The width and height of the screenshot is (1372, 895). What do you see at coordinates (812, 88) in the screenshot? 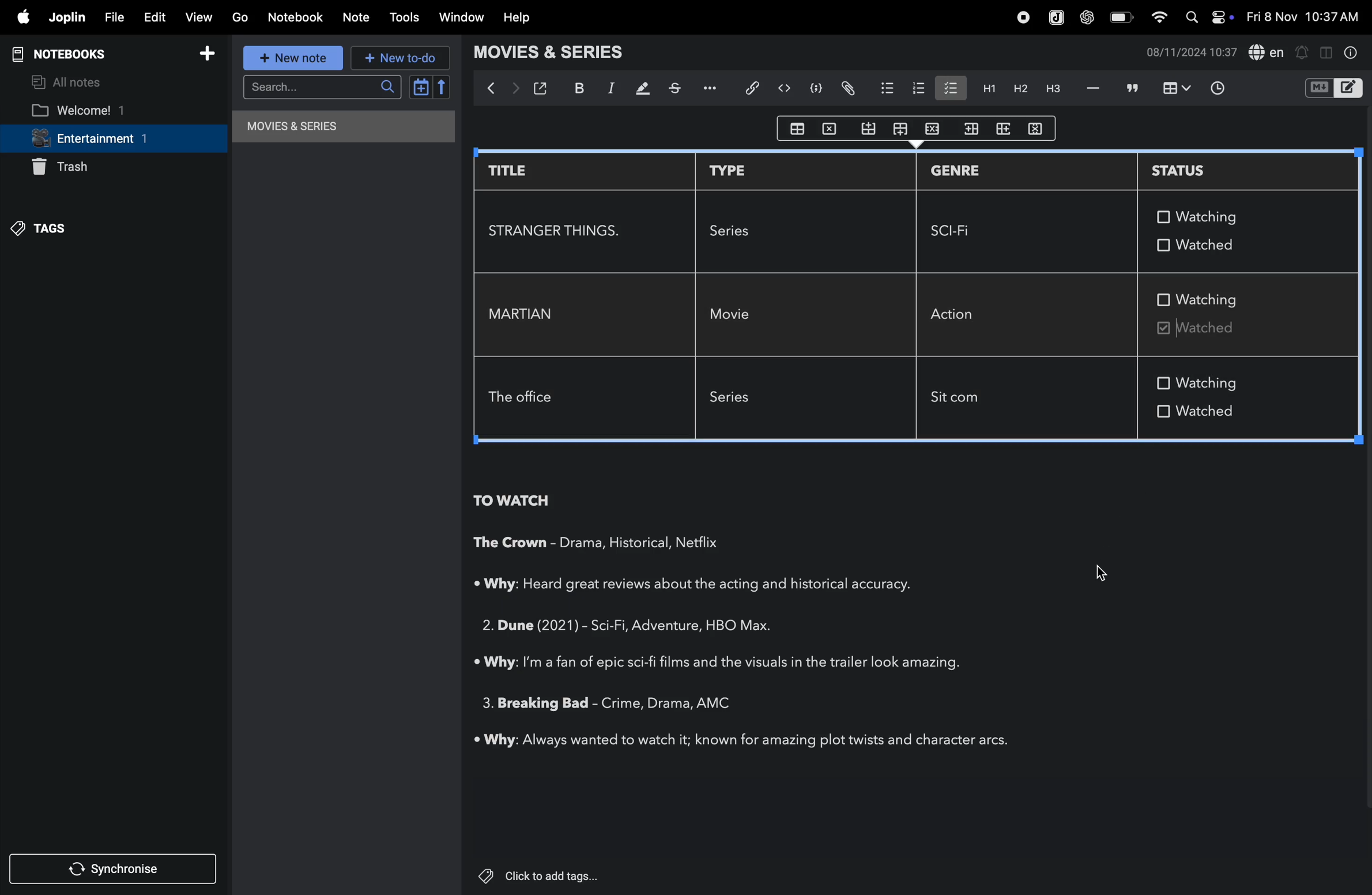
I see `code` at bounding box center [812, 88].